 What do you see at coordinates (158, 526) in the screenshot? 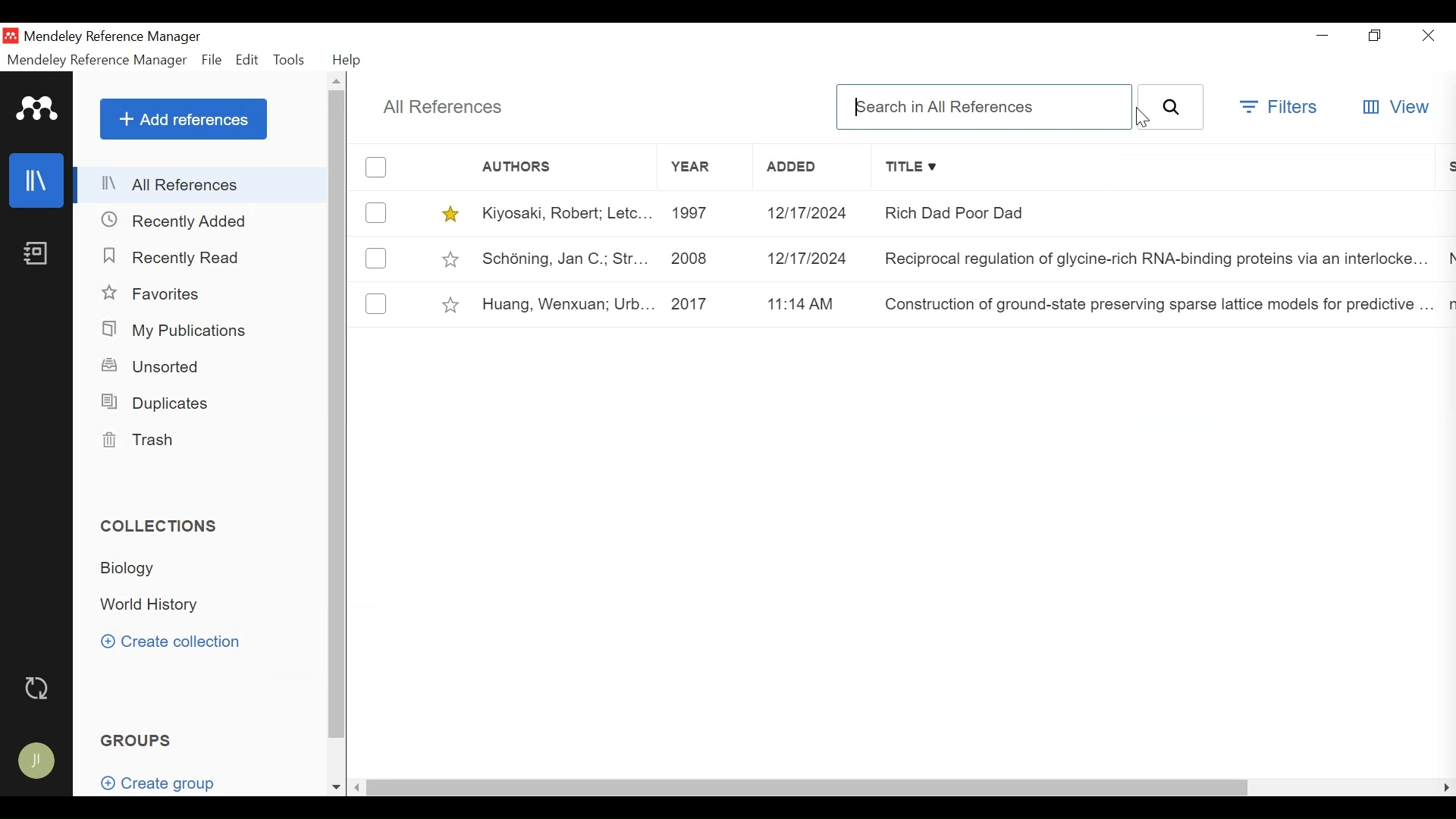
I see `Collections` at bounding box center [158, 526].